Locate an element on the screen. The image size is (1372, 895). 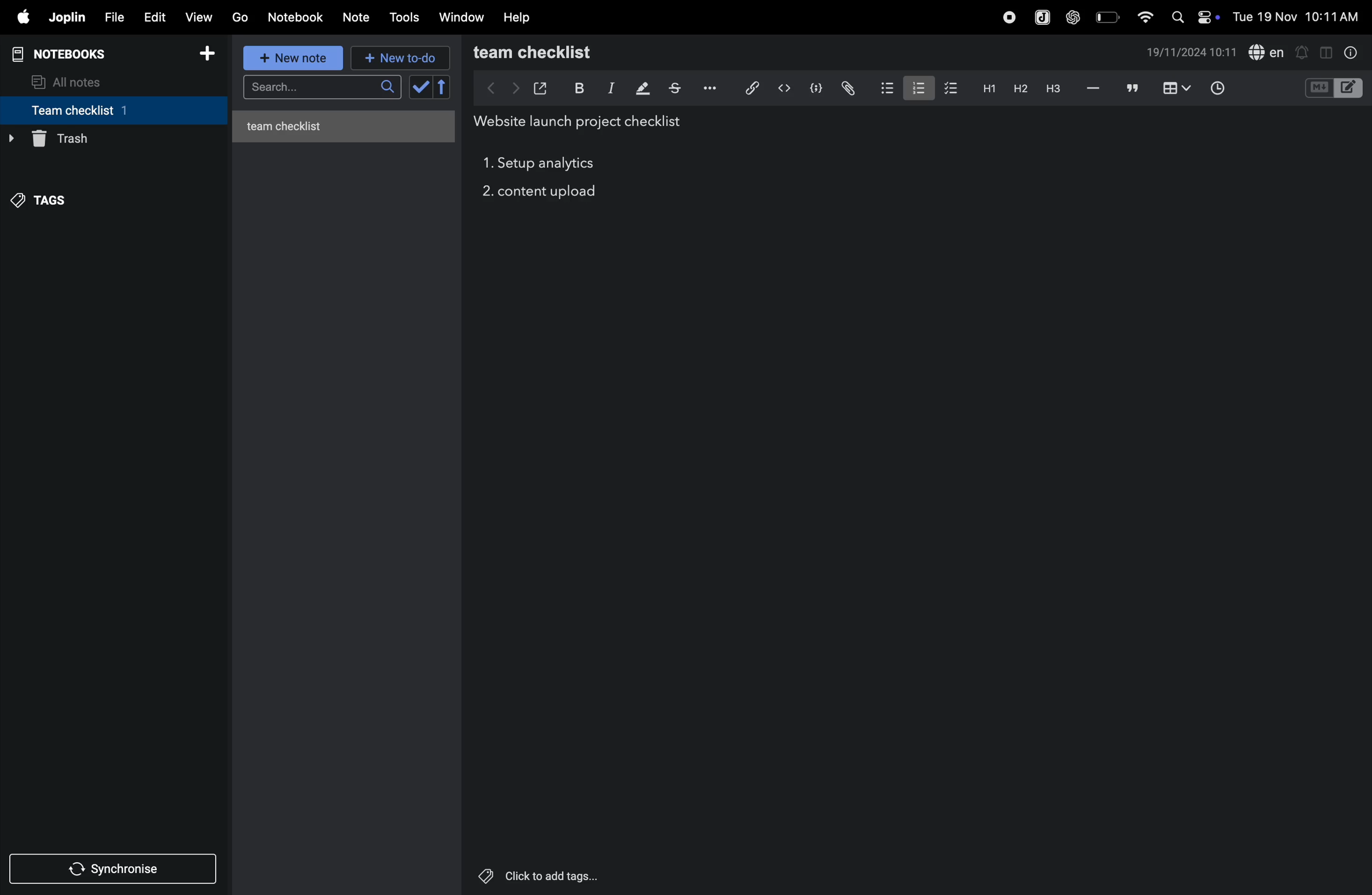
checklist is located at coordinates (952, 89).